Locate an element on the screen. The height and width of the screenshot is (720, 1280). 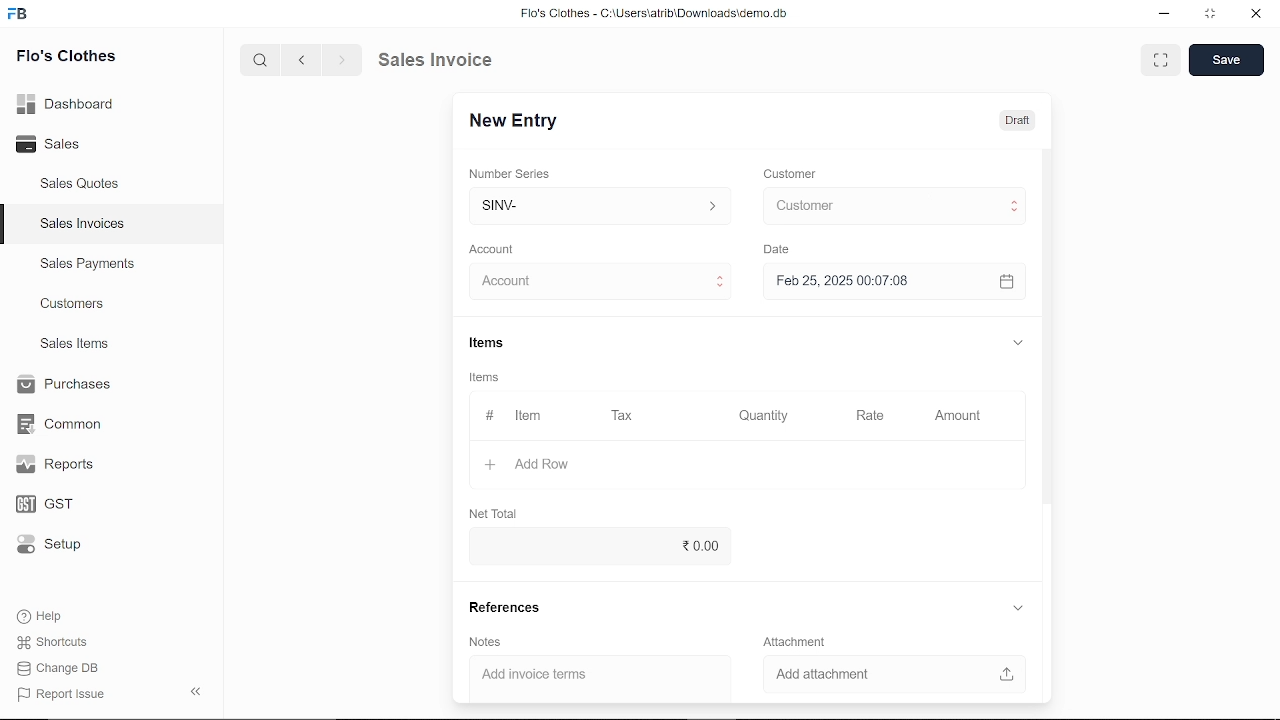
Amount is located at coordinates (957, 417).